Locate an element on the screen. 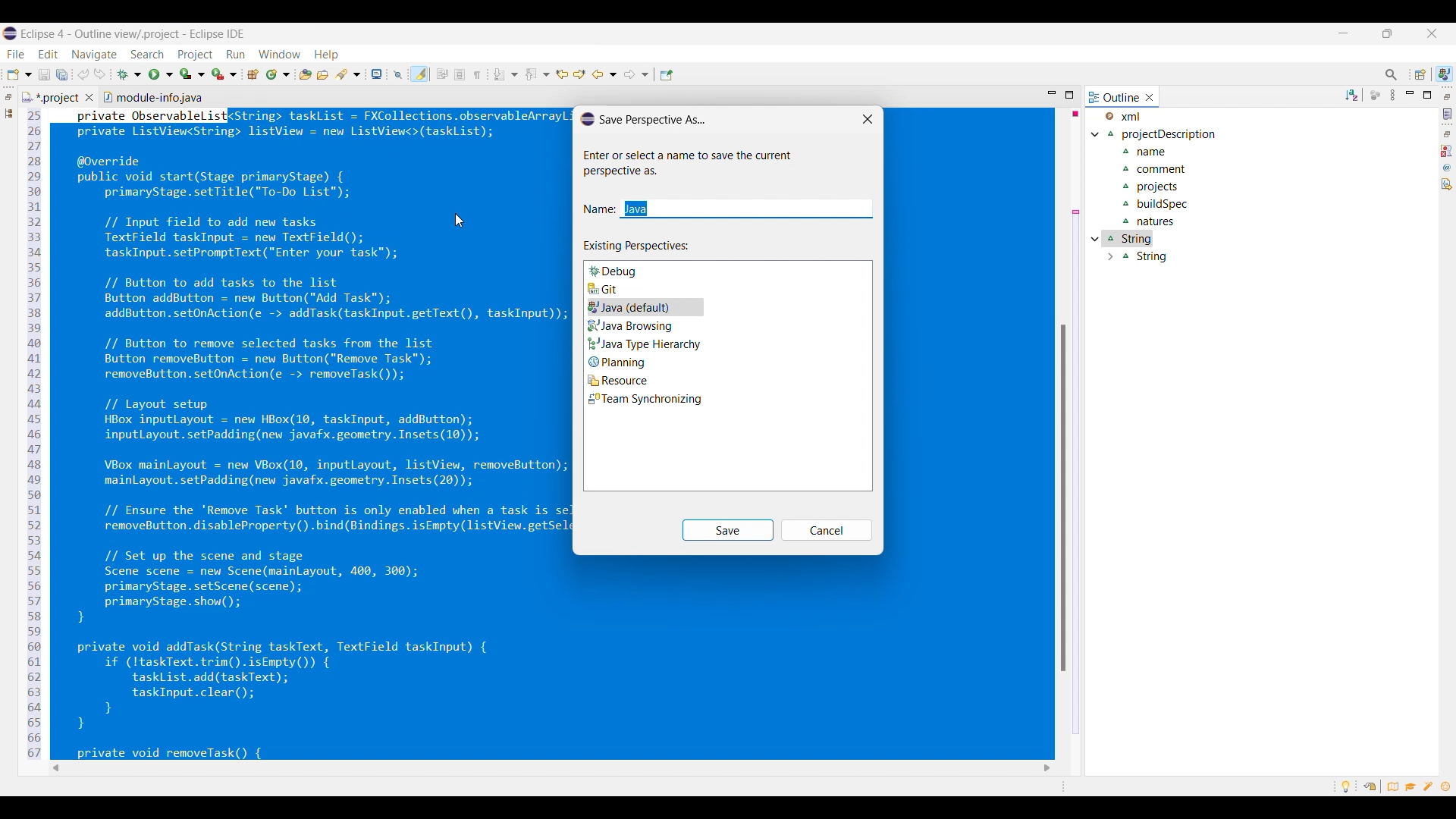  Close window is located at coordinates (868, 119).